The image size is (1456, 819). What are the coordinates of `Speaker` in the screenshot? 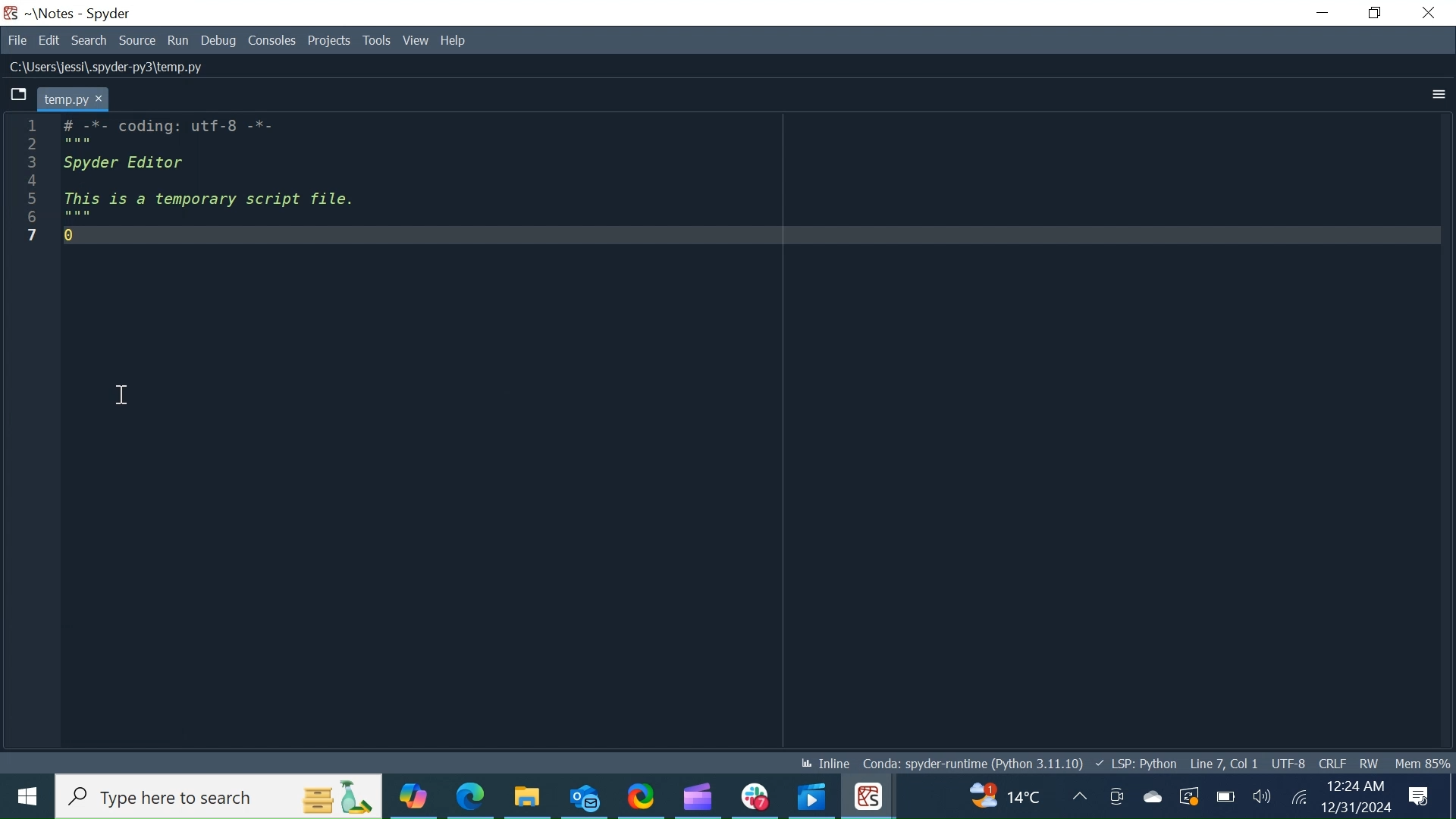 It's located at (1262, 795).